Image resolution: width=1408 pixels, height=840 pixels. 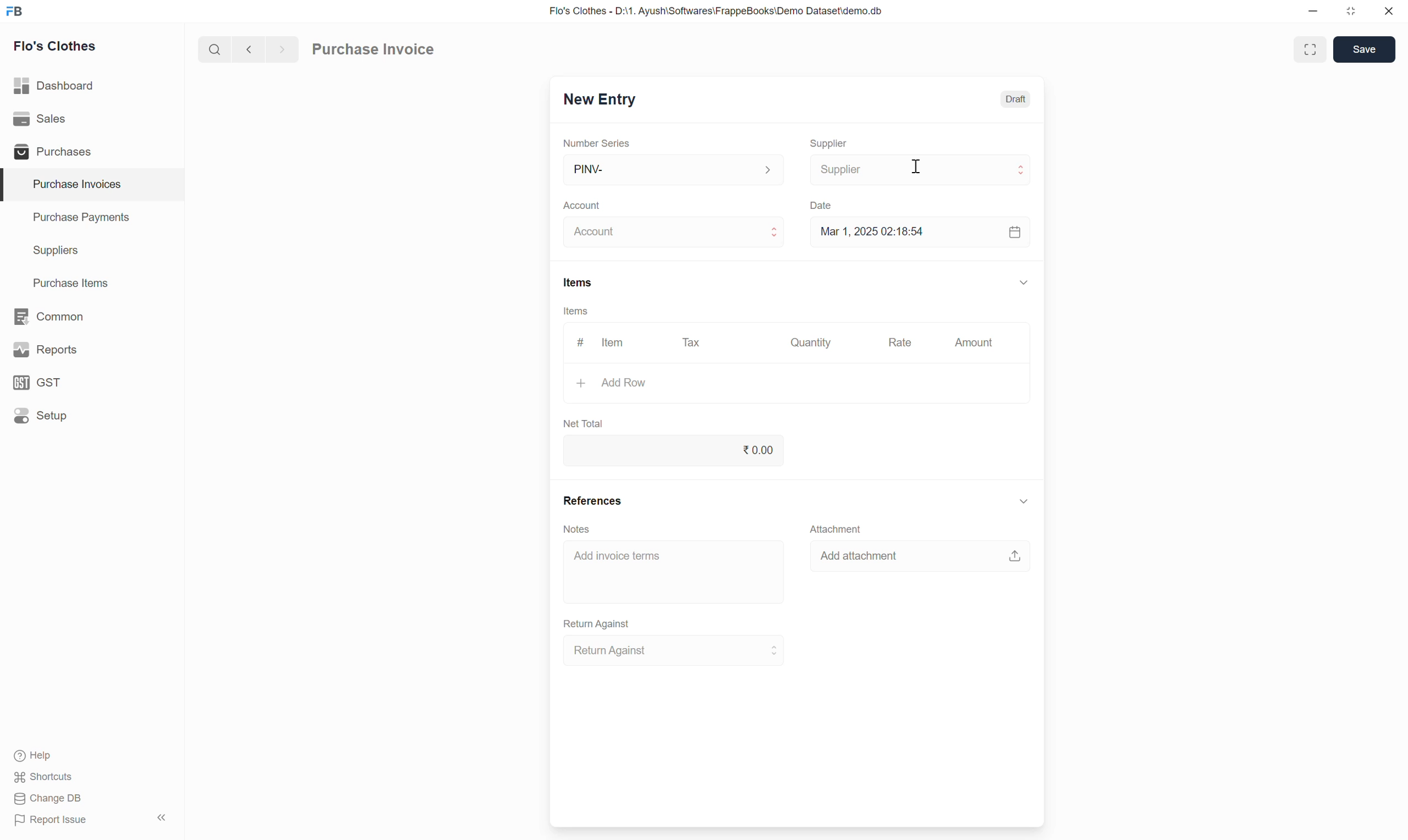 What do you see at coordinates (576, 311) in the screenshot?
I see `Items` at bounding box center [576, 311].